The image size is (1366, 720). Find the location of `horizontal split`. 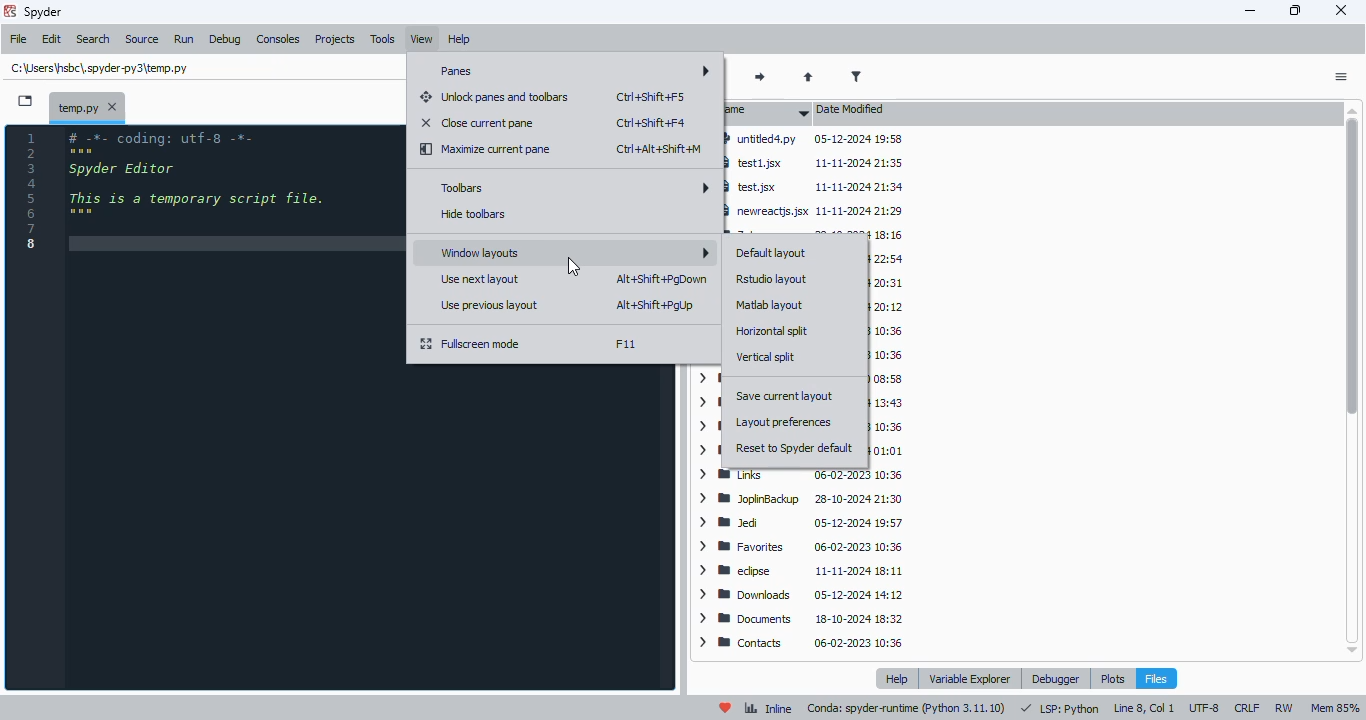

horizontal split is located at coordinates (774, 332).